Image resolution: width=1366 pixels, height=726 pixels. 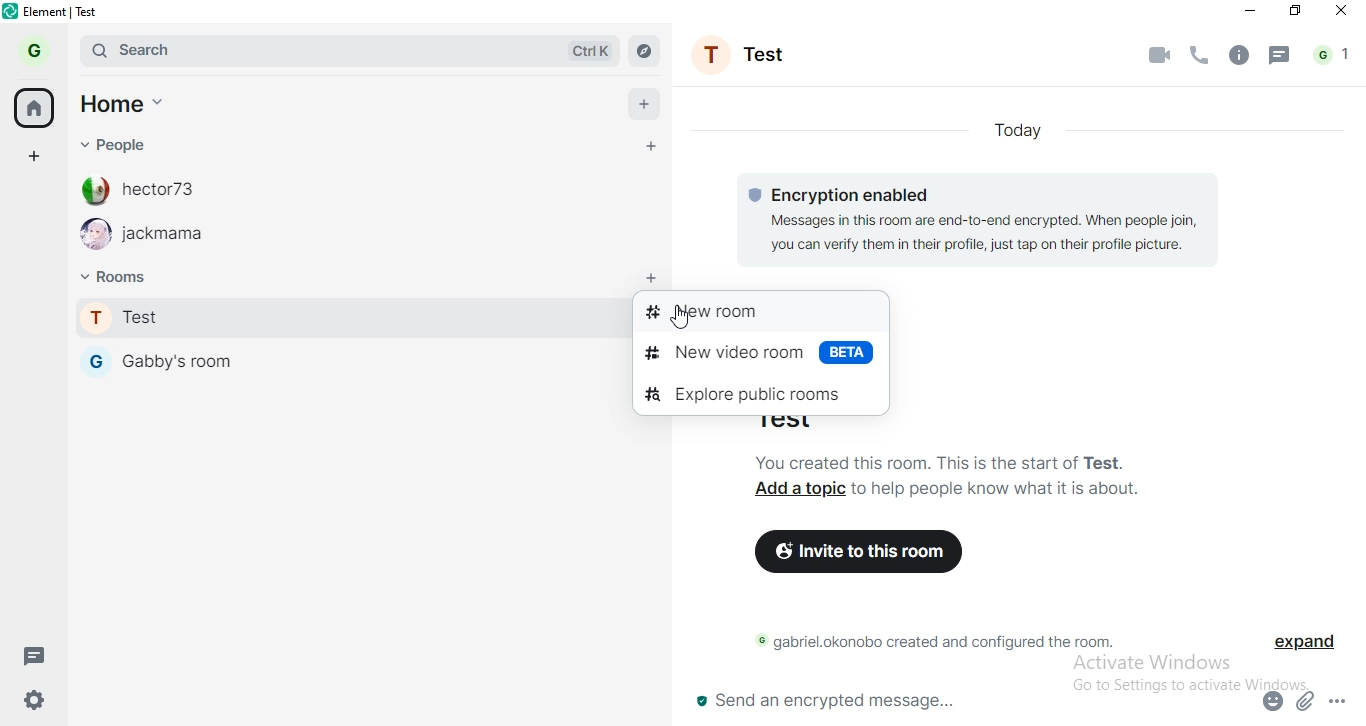 What do you see at coordinates (644, 54) in the screenshot?
I see `navigate` at bounding box center [644, 54].